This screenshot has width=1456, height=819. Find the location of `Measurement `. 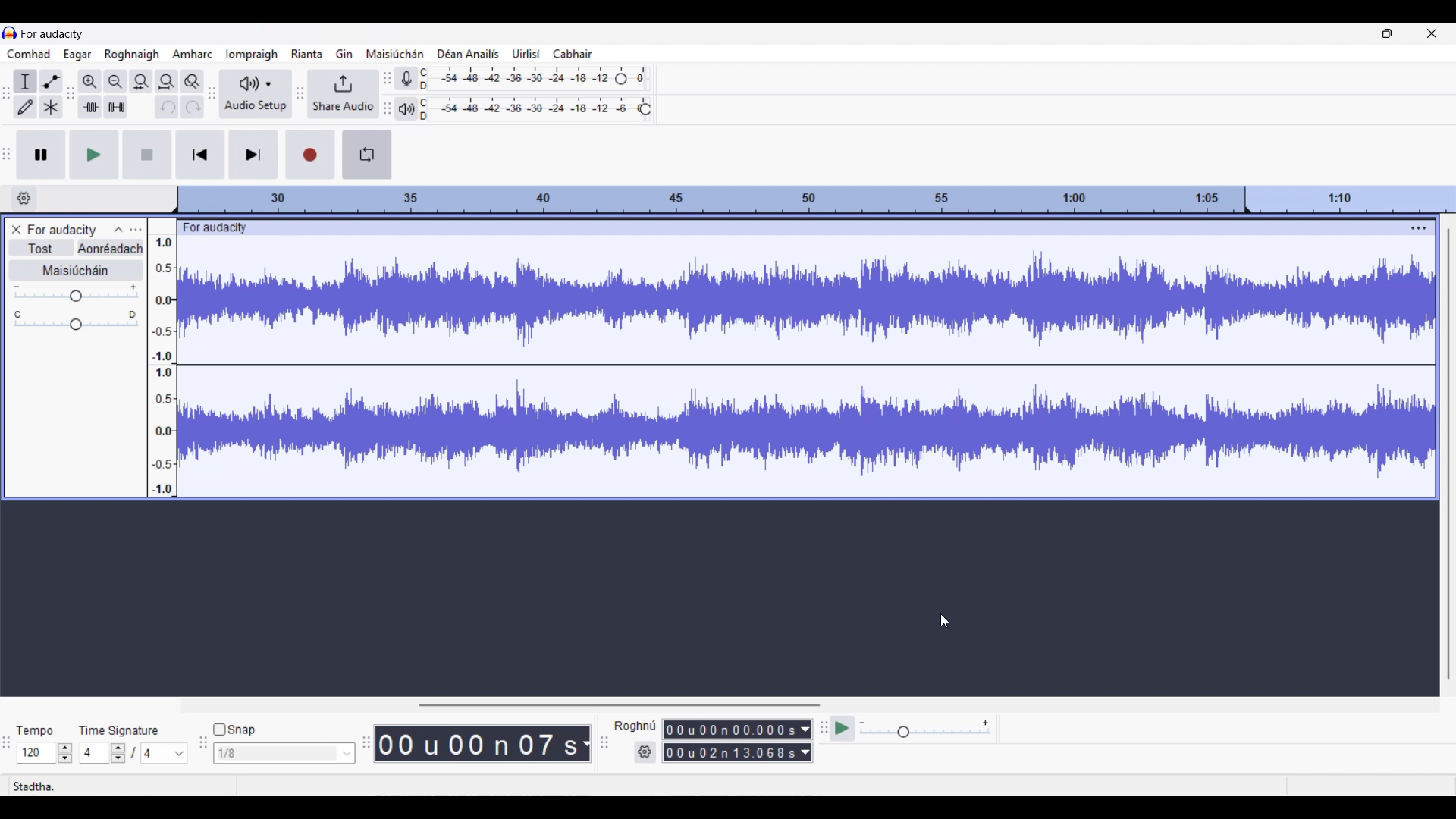

Measurement  is located at coordinates (585, 744).